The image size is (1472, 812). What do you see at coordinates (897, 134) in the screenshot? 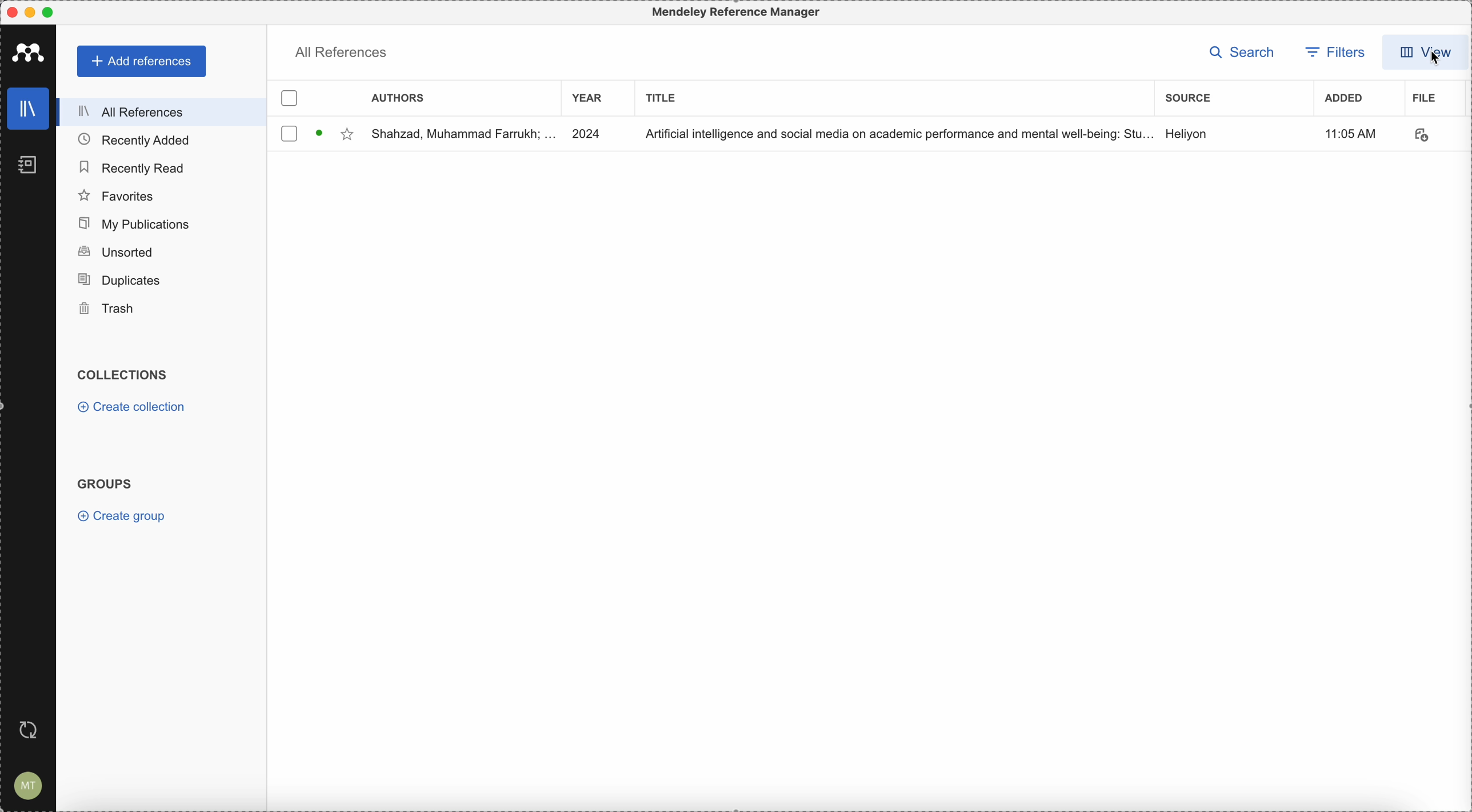
I see `Artificial Intelligence and social media on academic performance and mental well-being.` at bounding box center [897, 134].